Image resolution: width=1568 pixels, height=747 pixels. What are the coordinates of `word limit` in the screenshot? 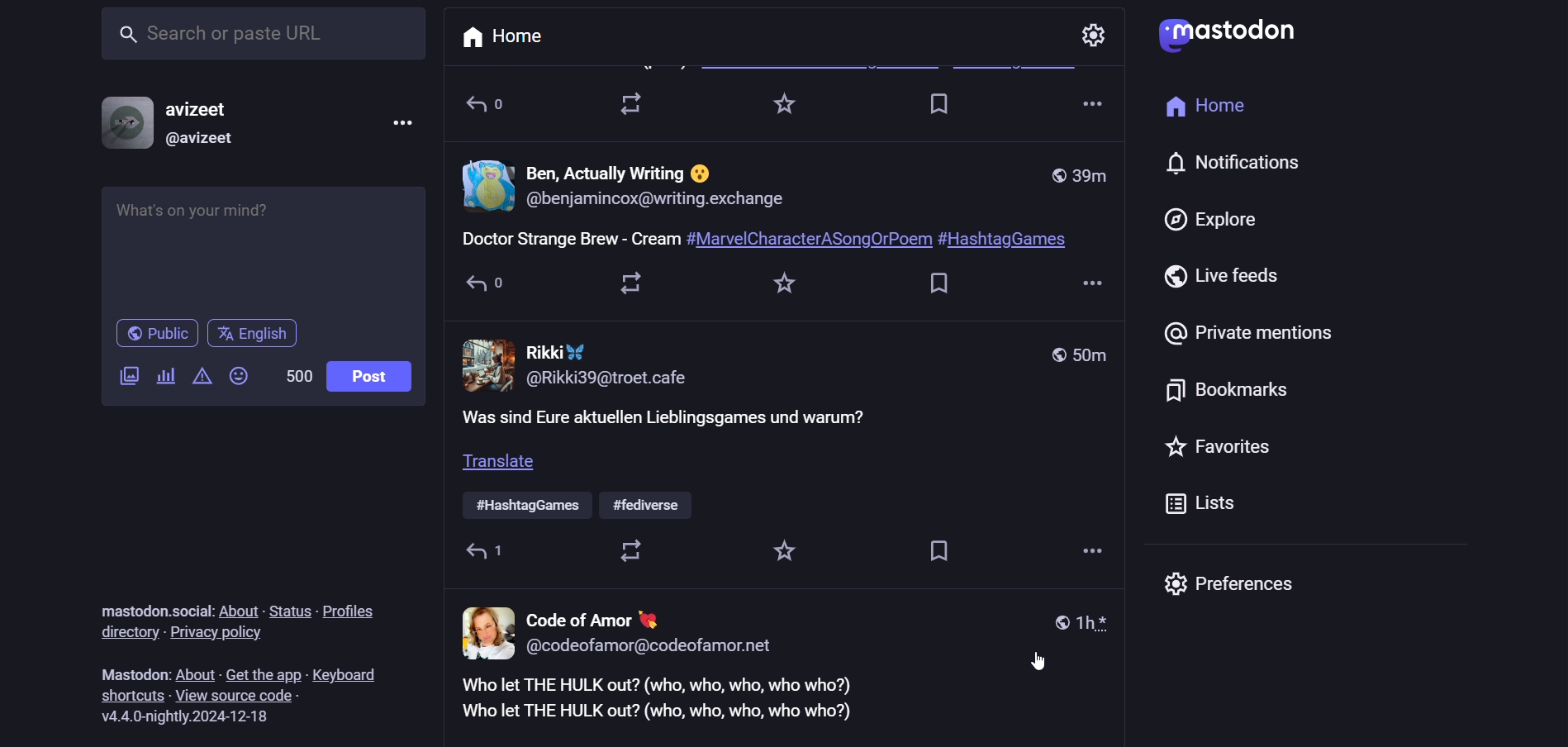 It's located at (294, 375).